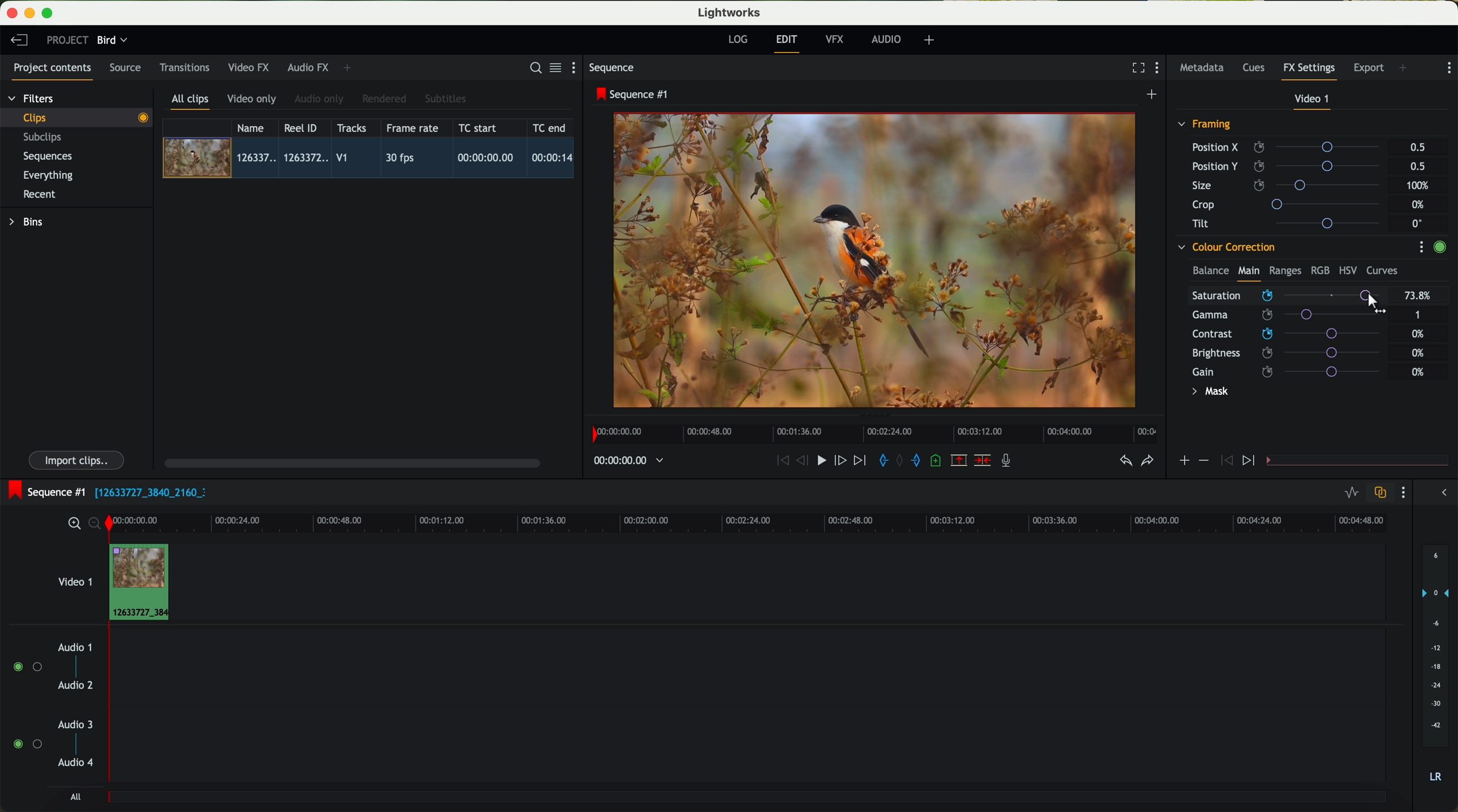  What do you see at coordinates (937, 461) in the screenshot?
I see `add a cue at the current position` at bounding box center [937, 461].